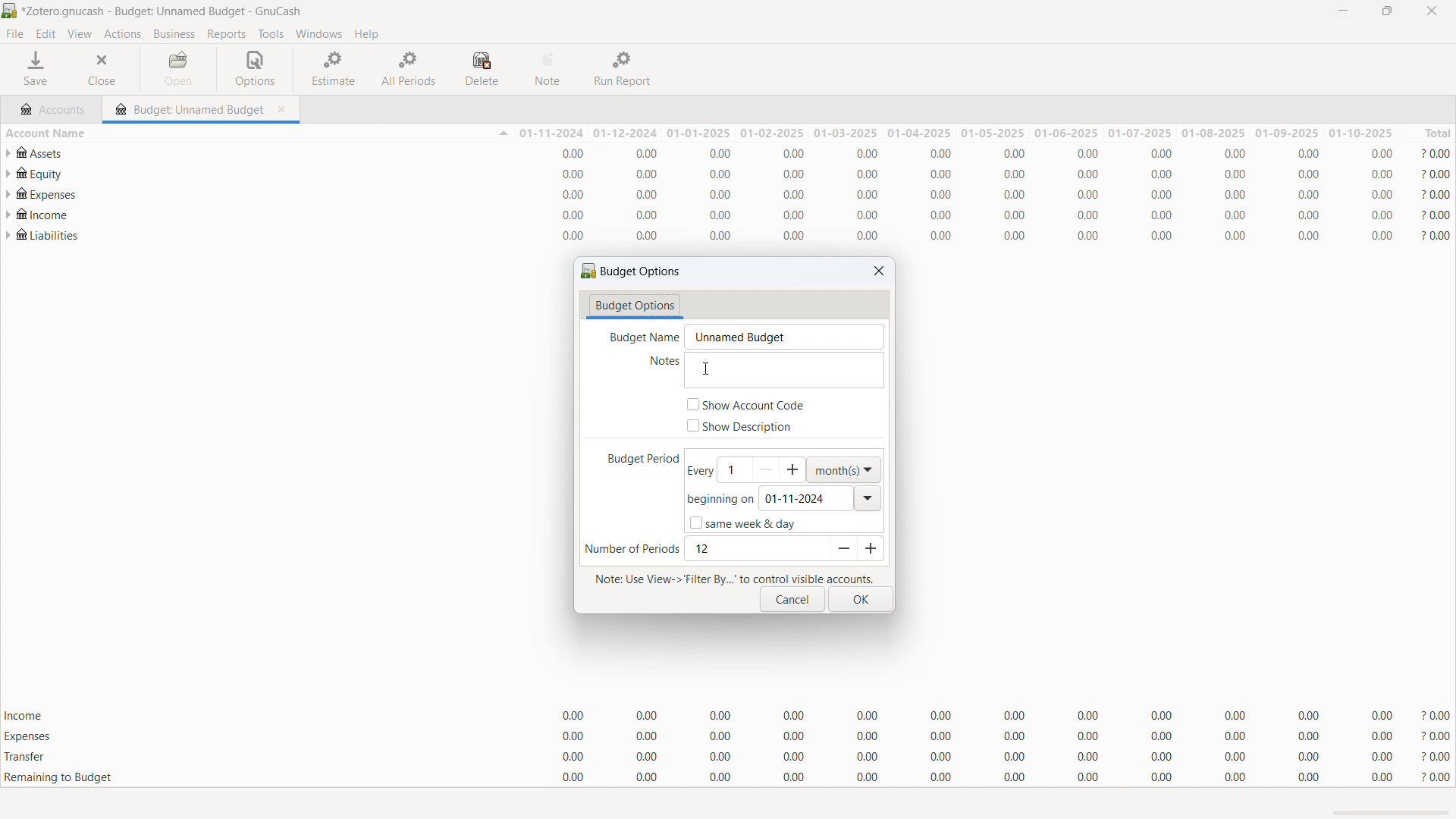 Image resolution: width=1456 pixels, height=819 pixels. I want to click on expand subaccounts, so click(9, 214).